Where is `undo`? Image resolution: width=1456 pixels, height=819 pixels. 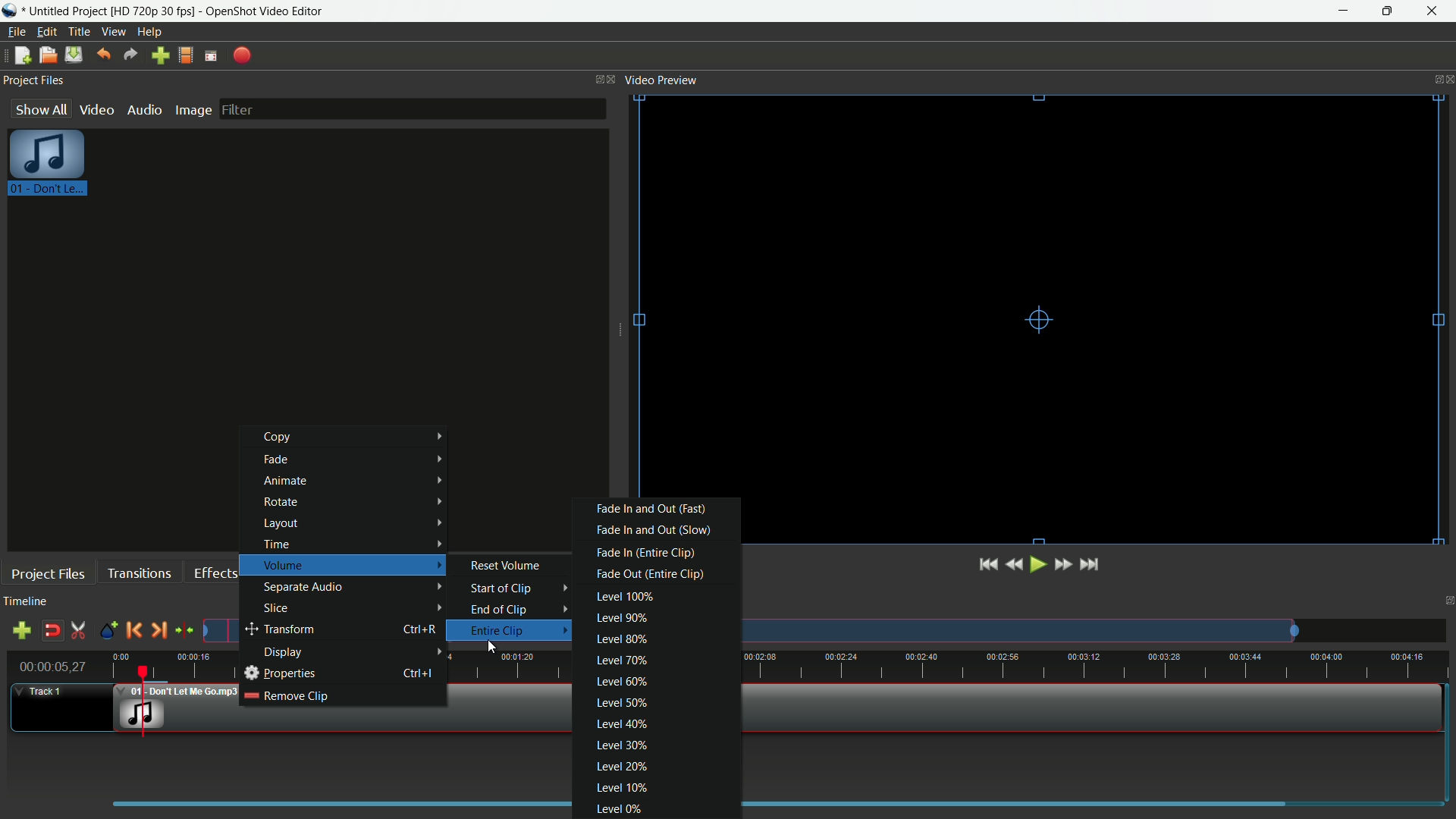
undo is located at coordinates (105, 55).